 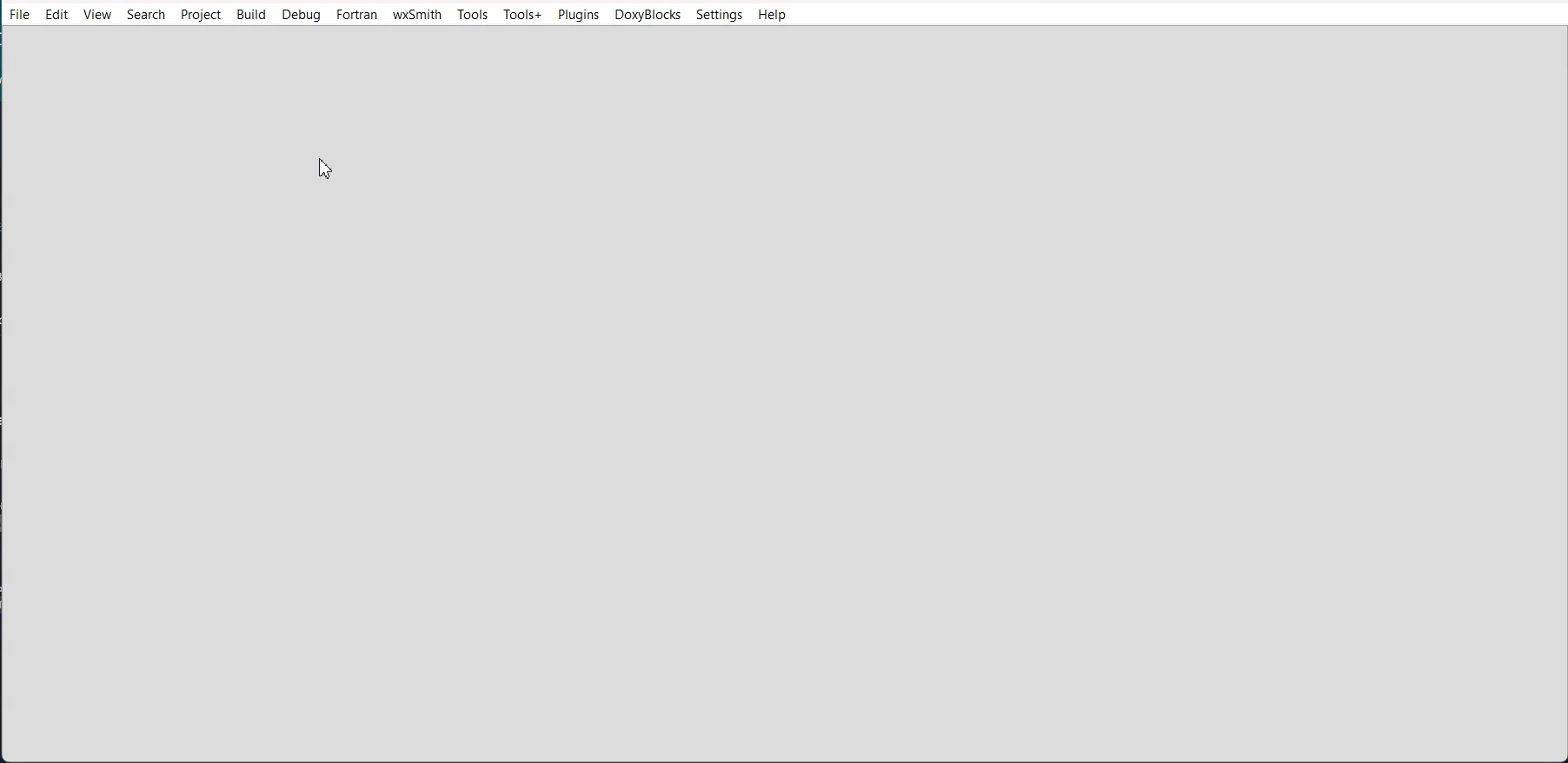 What do you see at coordinates (57, 15) in the screenshot?
I see `Edit` at bounding box center [57, 15].